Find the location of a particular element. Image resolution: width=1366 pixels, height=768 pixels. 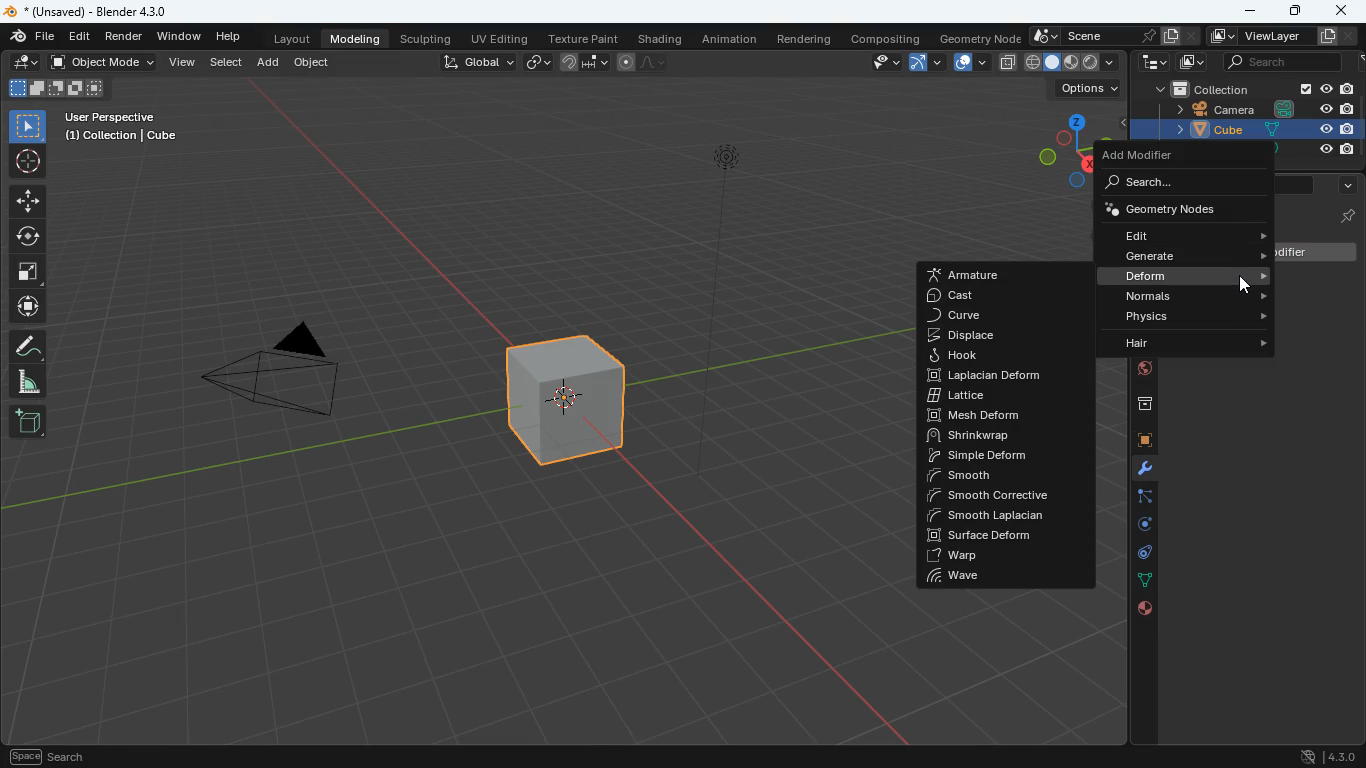

layout is located at coordinates (292, 37).